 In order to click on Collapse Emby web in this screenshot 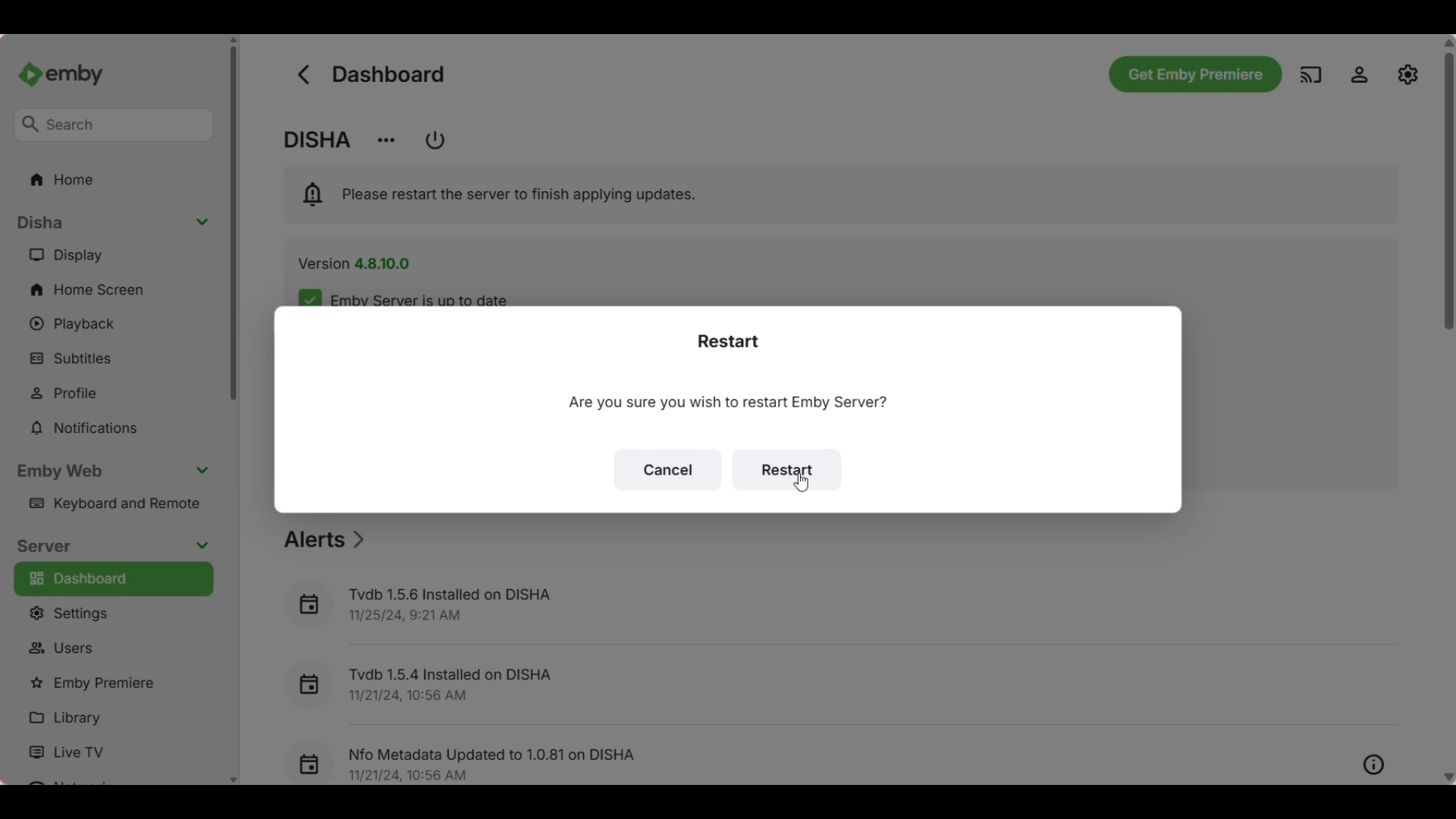, I will do `click(112, 472)`.